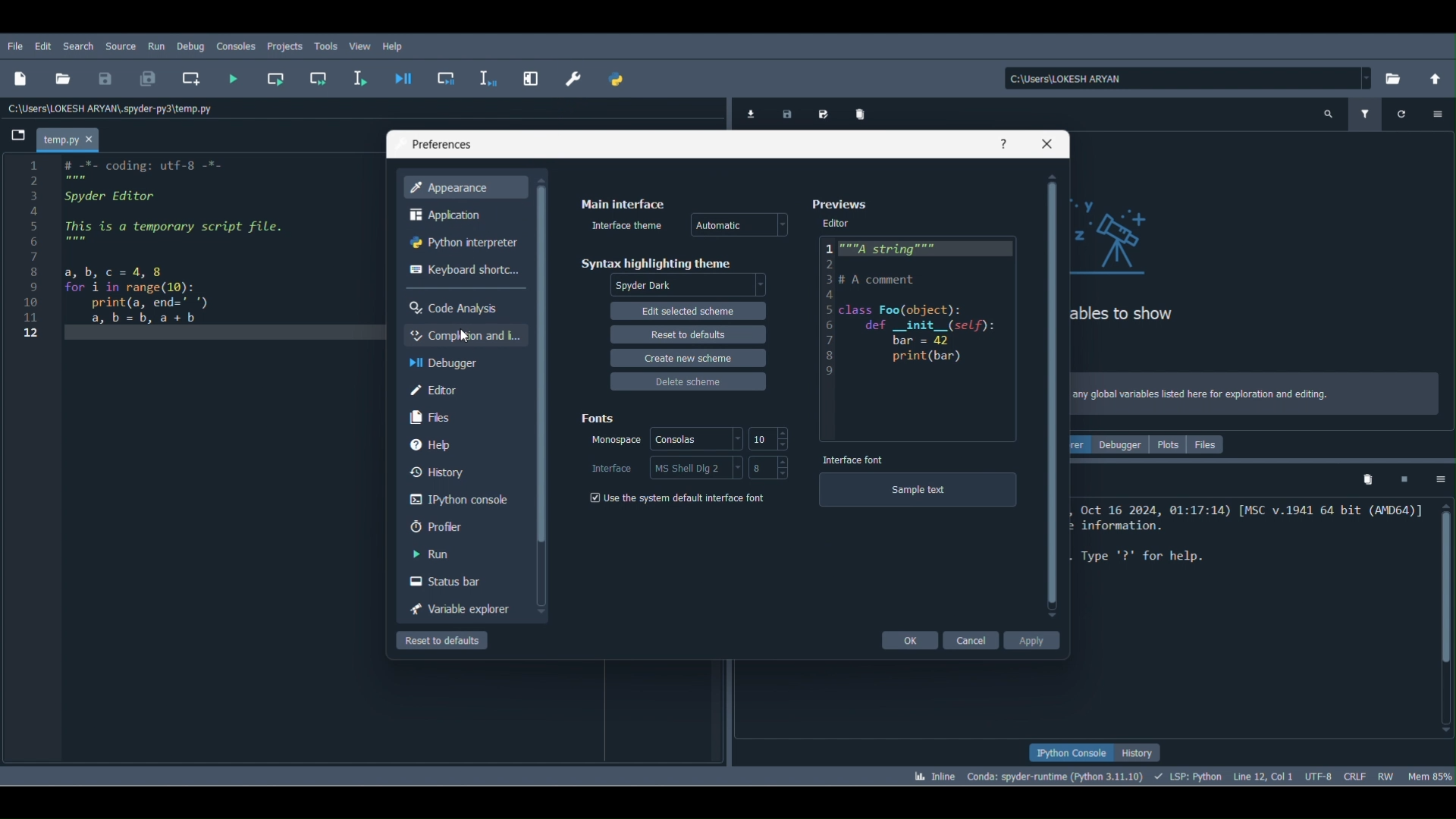 Image resolution: width=1456 pixels, height=819 pixels. Describe the element at coordinates (742, 224) in the screenshot. I see `Theme` at that location.